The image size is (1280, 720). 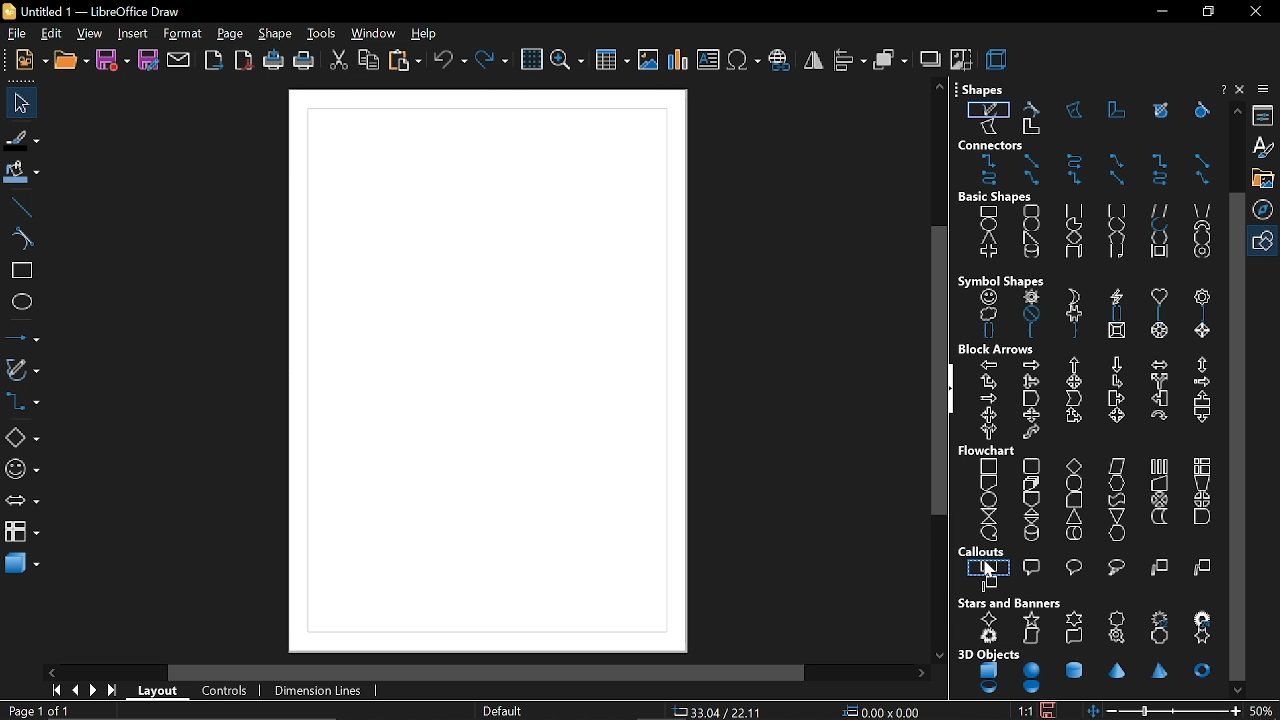 What do you see at coordinates (1175, 710) in the screenshot?
I see `change zoom` at bounding box center [1175, 710].